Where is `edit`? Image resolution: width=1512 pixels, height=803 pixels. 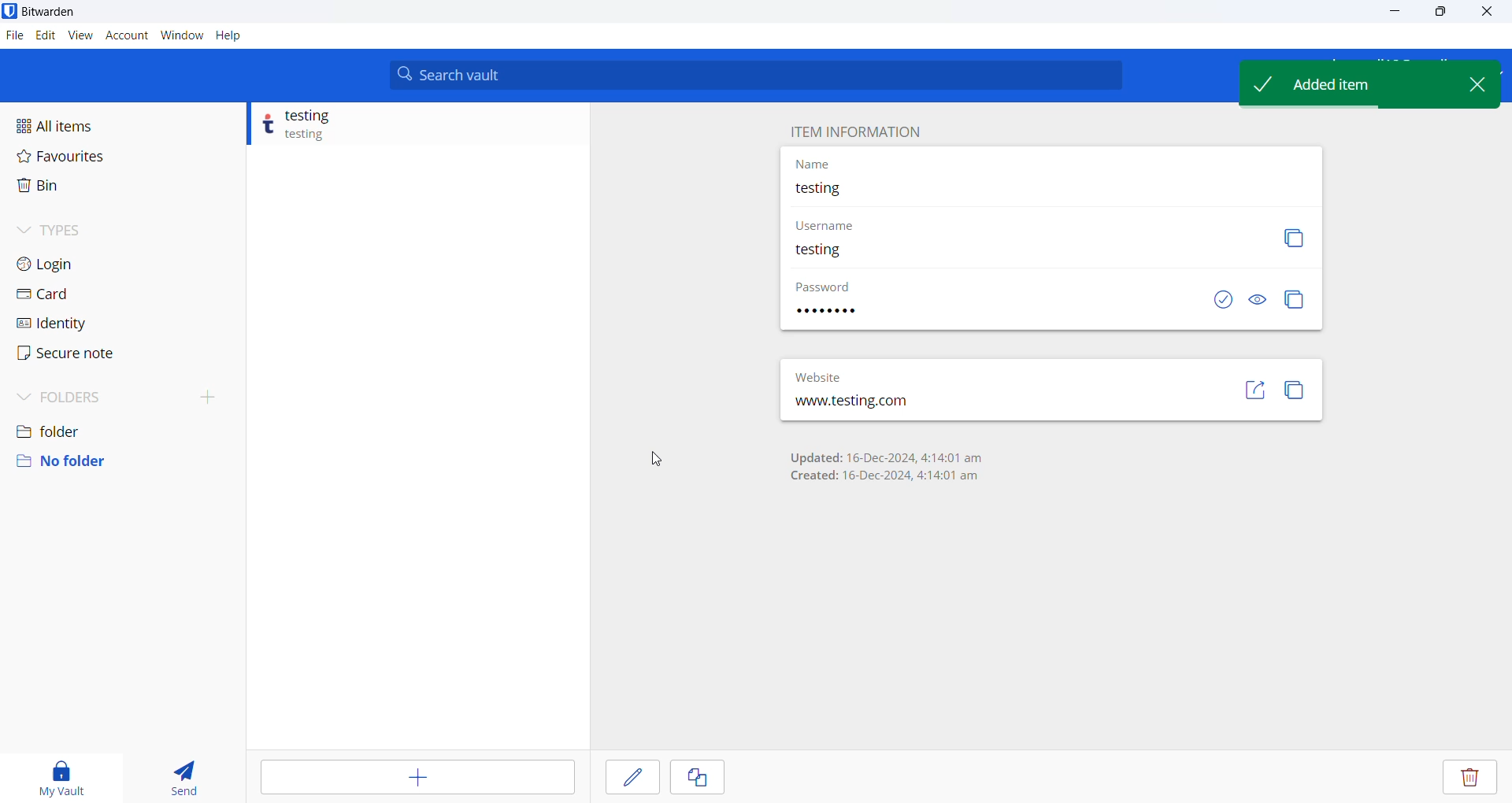 edit is located at coordinates (634, 777).